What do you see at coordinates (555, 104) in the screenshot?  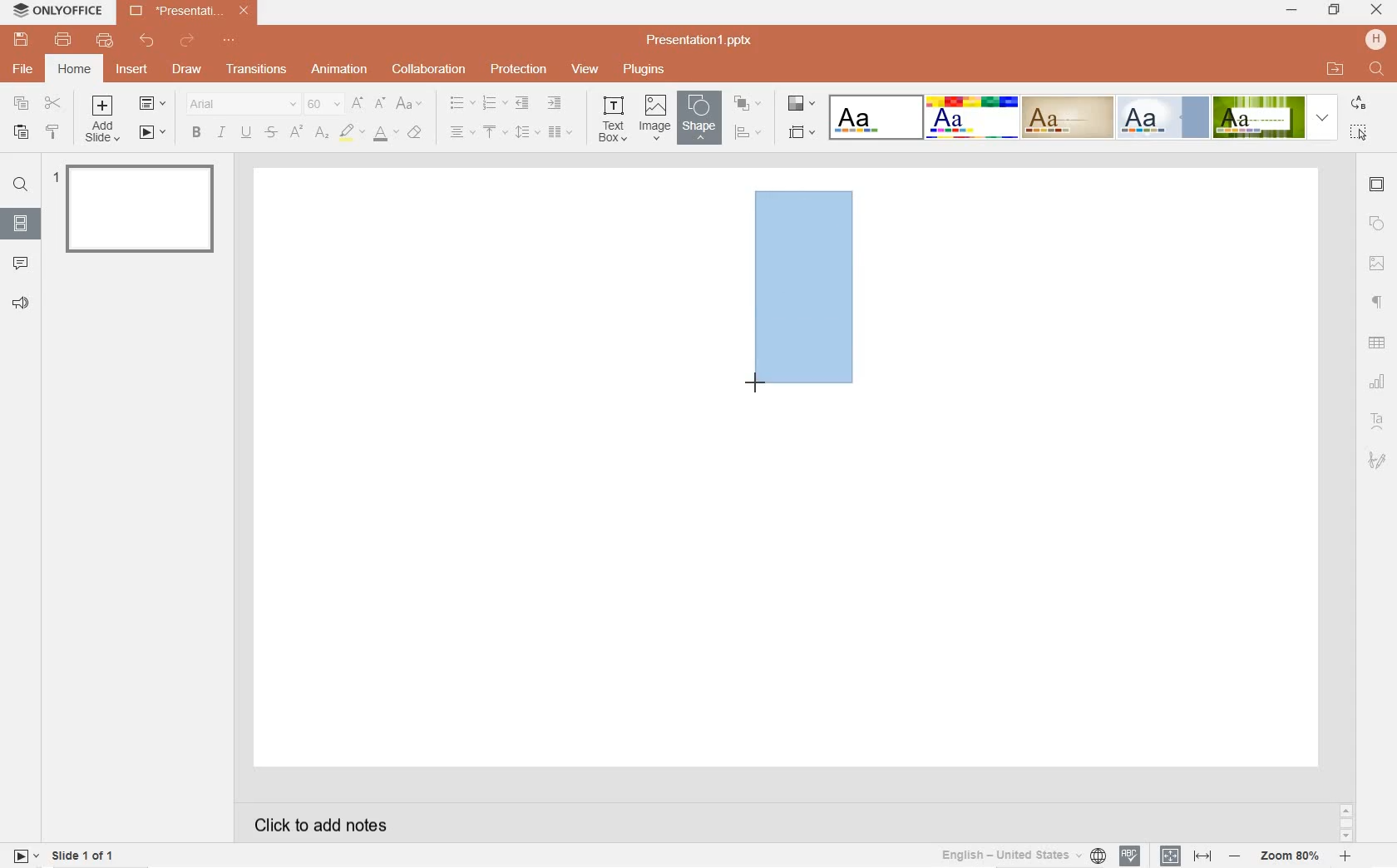 I see `increase indent` at bounding box center [555, 104].